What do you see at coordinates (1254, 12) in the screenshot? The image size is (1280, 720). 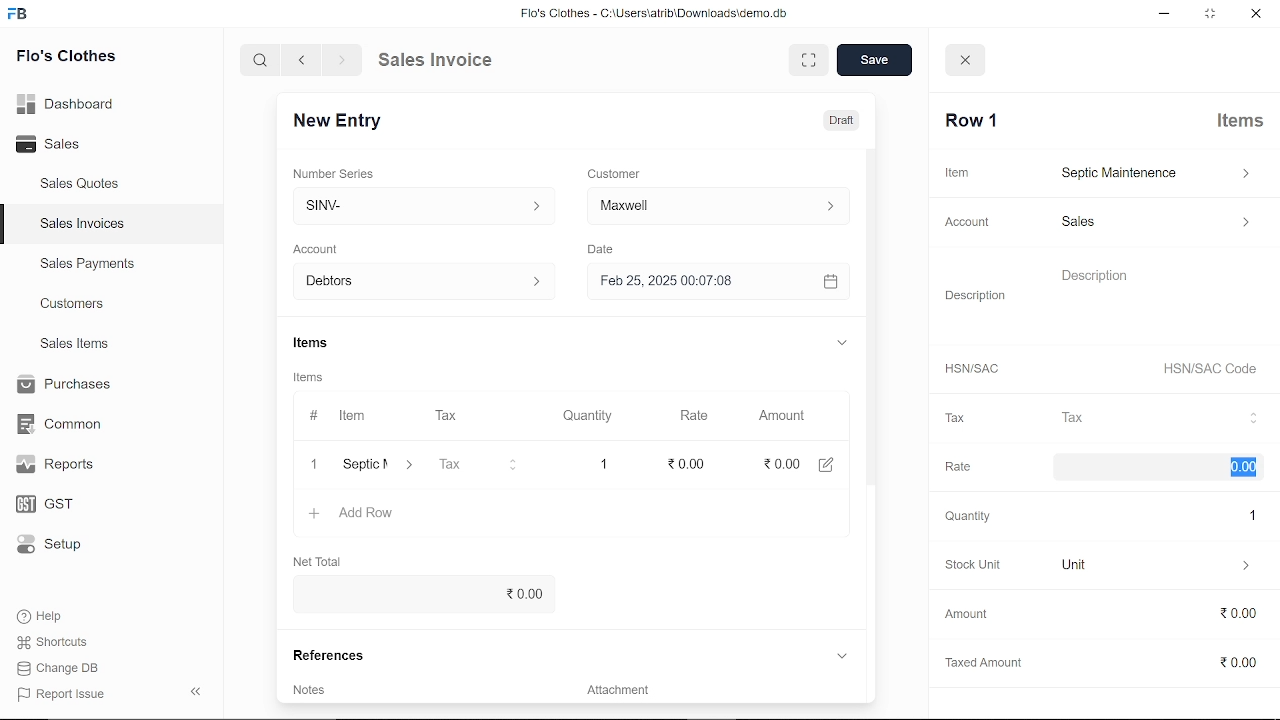 I see `close` at bounding box center [1254, 12].